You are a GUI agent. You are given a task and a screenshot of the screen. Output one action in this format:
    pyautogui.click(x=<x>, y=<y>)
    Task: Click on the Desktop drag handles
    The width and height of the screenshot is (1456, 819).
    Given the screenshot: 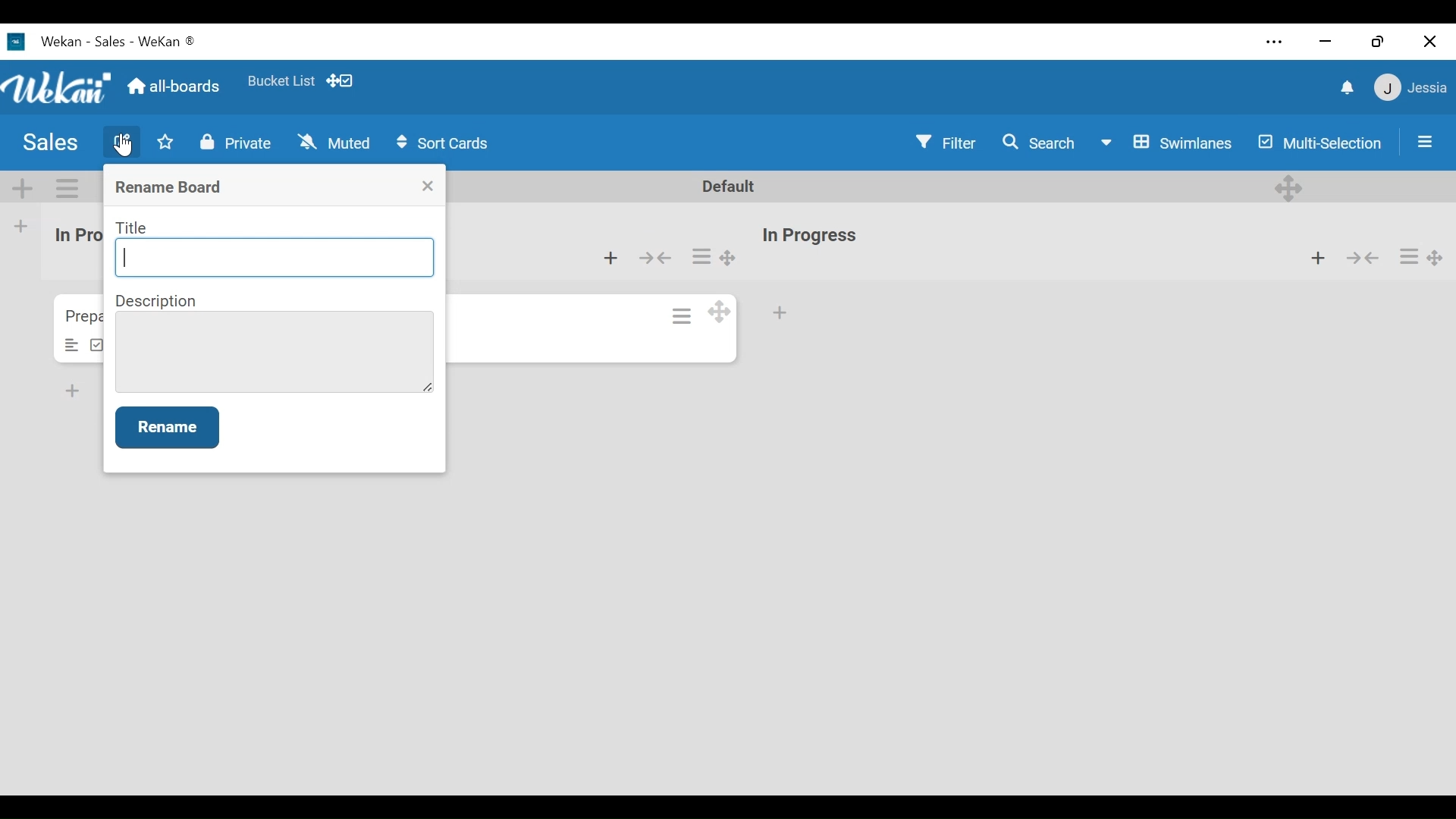 What is the action you would take?
    pyautogui.click(x=1436, y=259)
    